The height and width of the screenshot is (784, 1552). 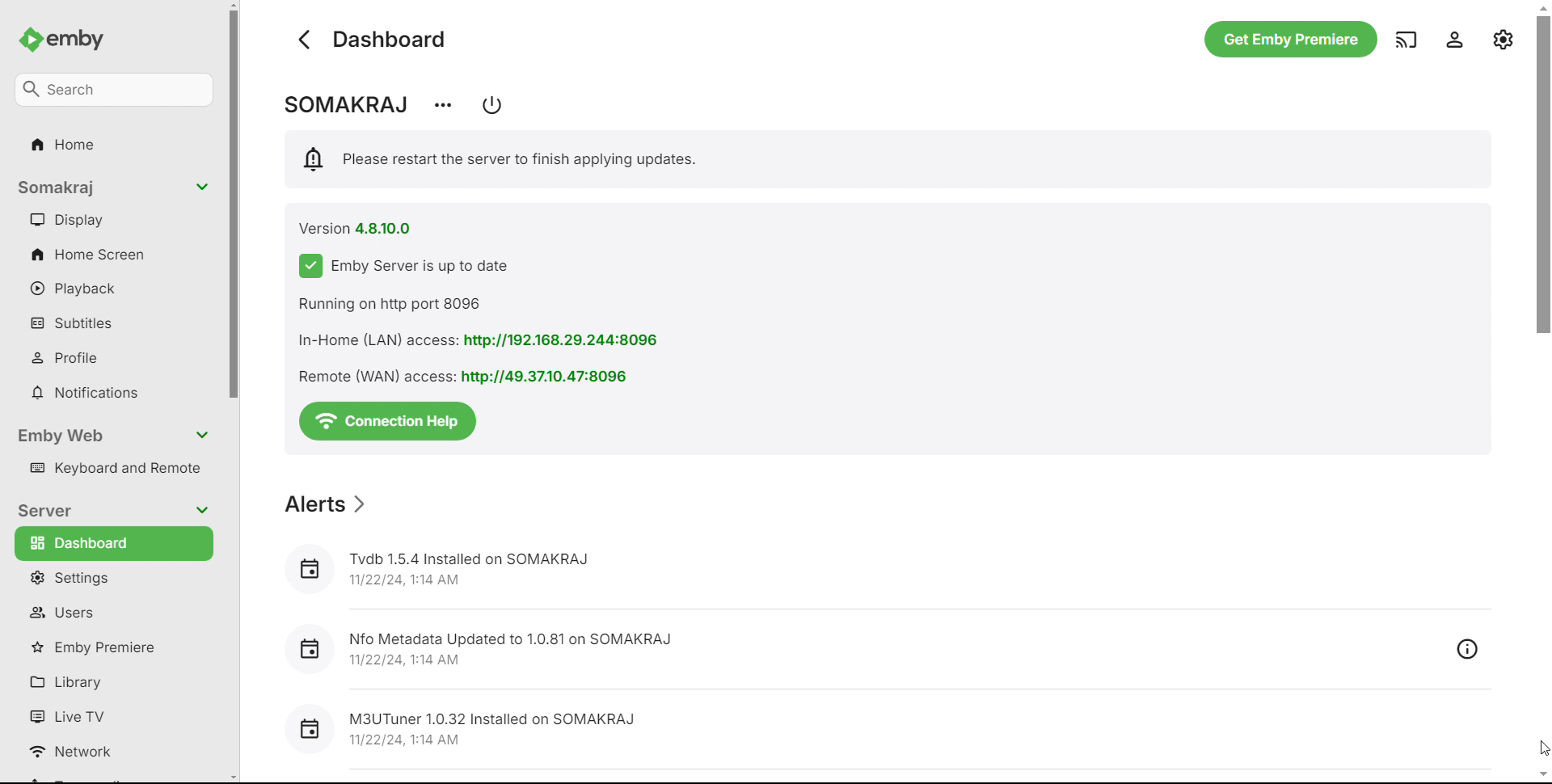 I want to click on  http://192.168.29.244:8096, so click(x=565, y=341).